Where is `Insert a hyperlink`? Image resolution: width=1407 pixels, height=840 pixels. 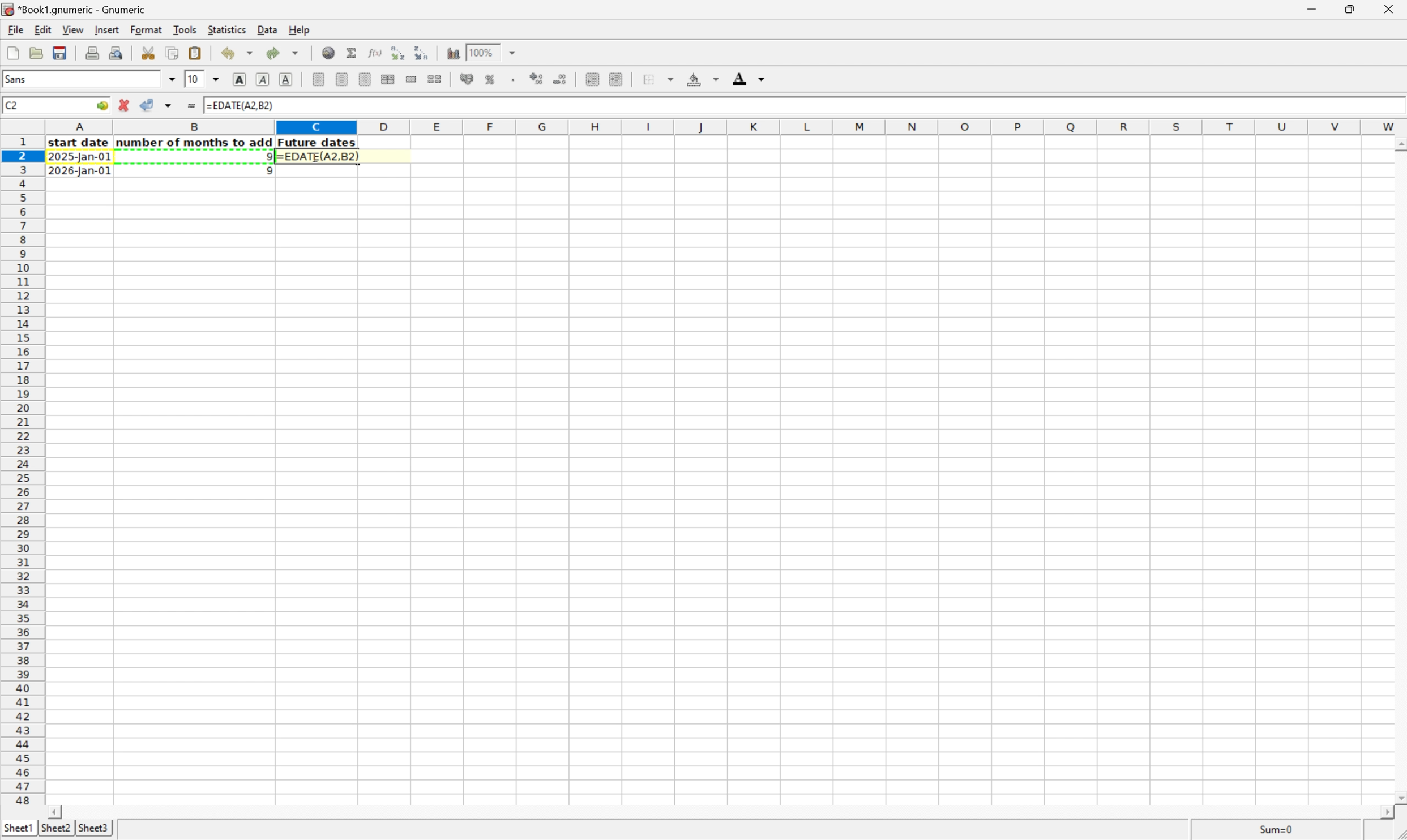 Insert a hyperlink is located at coordinates (329, 52).